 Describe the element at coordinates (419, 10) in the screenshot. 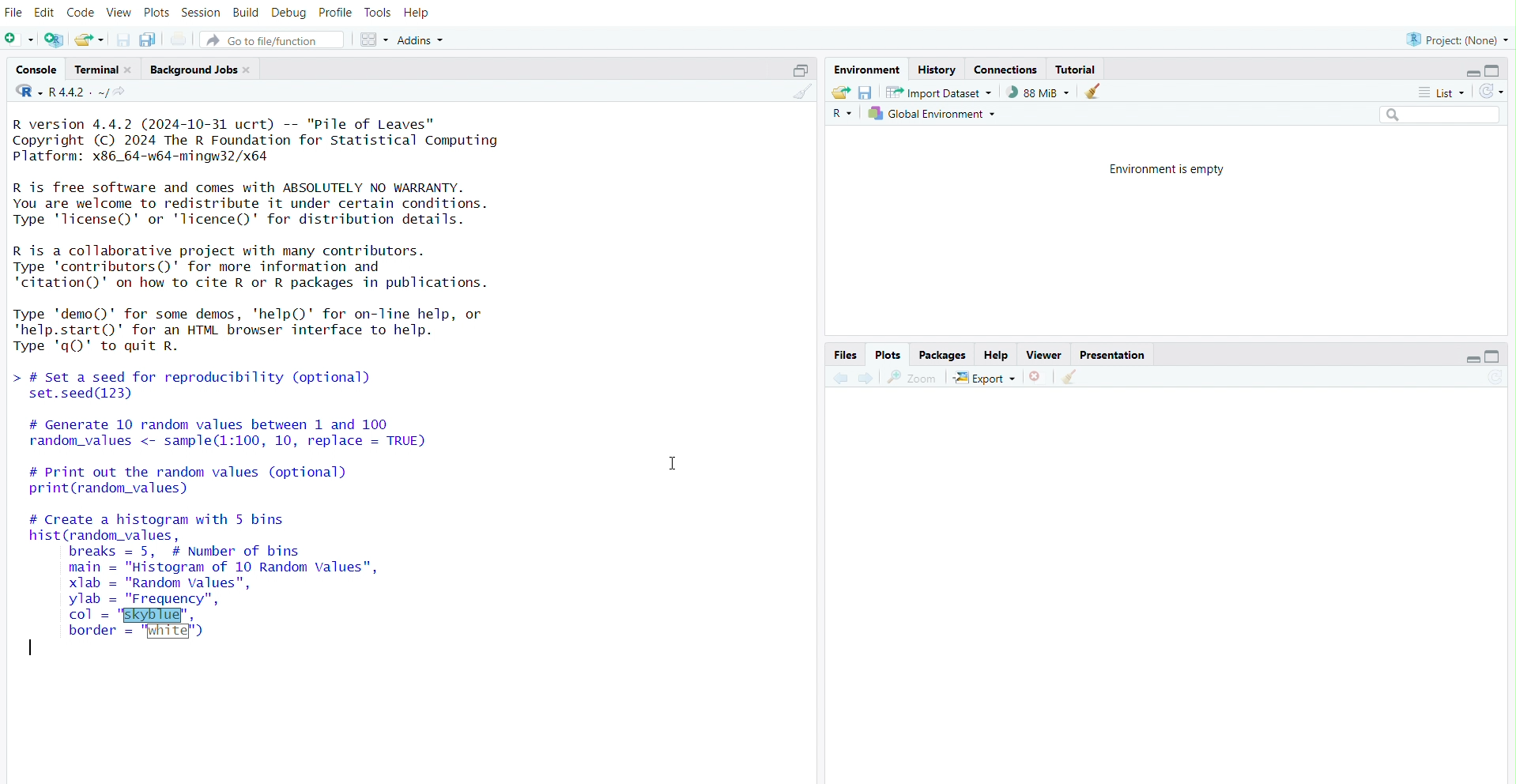

I see `help` at that location.